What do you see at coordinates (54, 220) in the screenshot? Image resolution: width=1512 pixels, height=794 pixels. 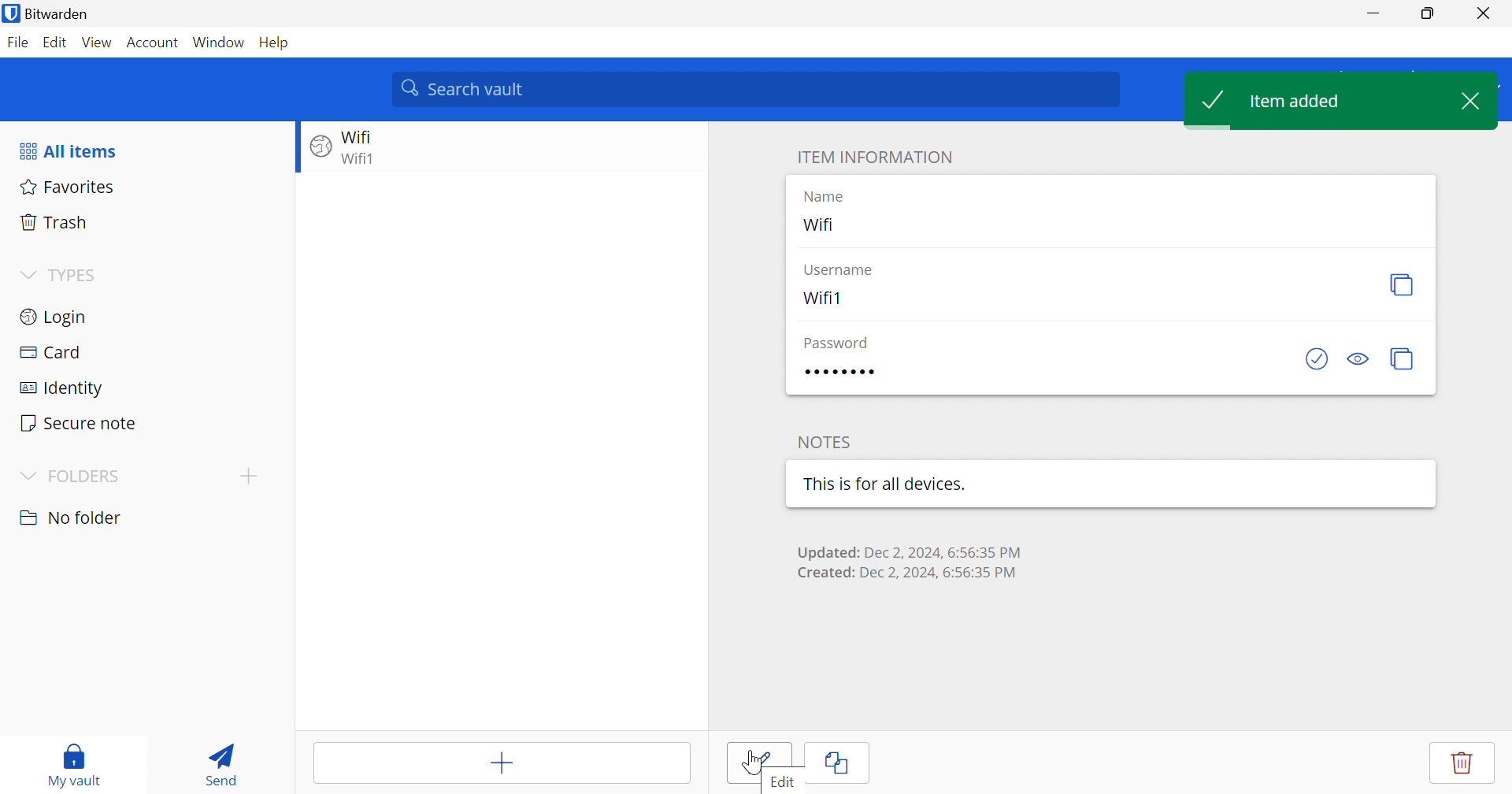 I see `Trash` at bounding box center [54, 220].